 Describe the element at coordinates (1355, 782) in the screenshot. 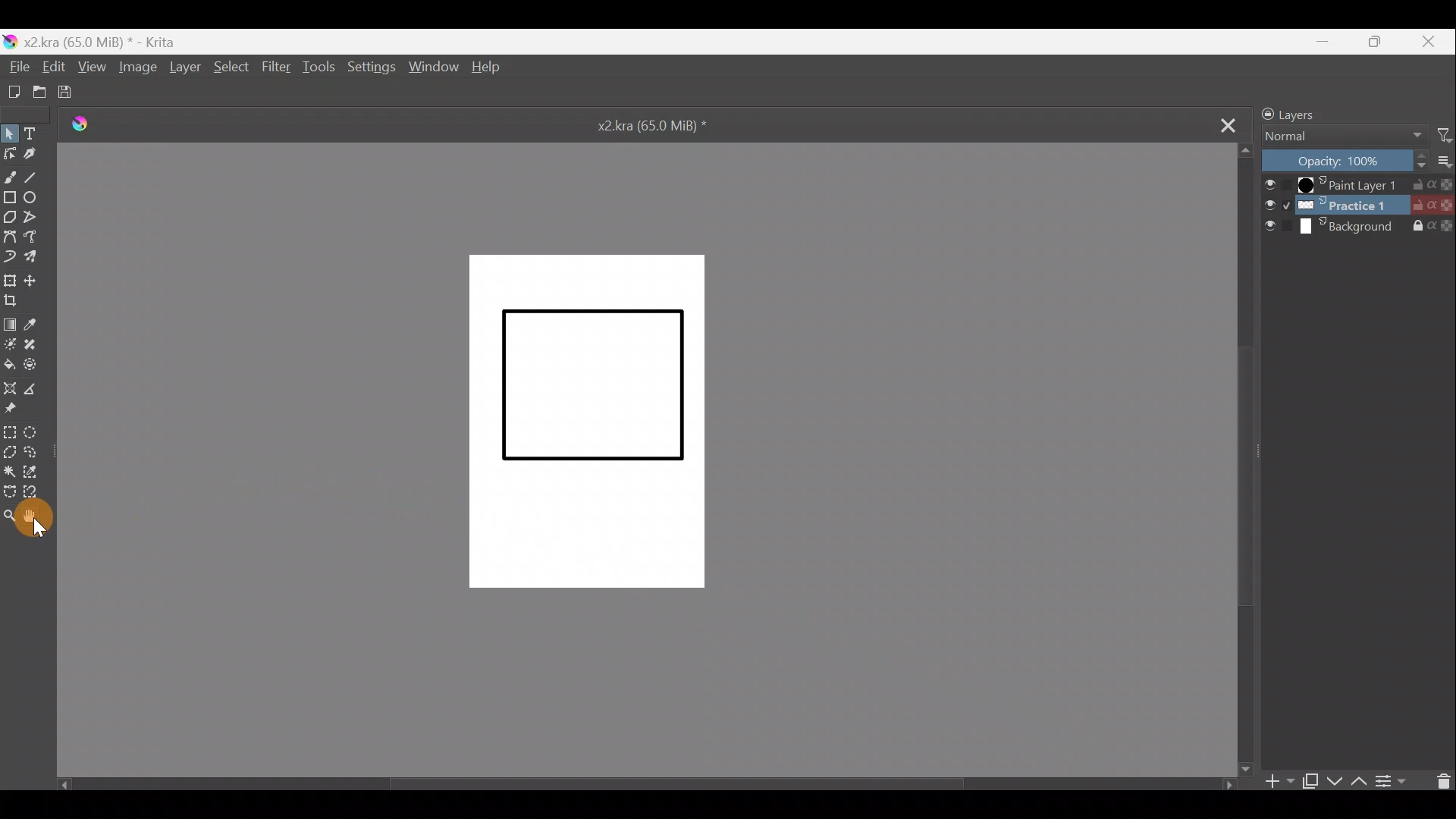

I see `Move layer/mask up` at that location.